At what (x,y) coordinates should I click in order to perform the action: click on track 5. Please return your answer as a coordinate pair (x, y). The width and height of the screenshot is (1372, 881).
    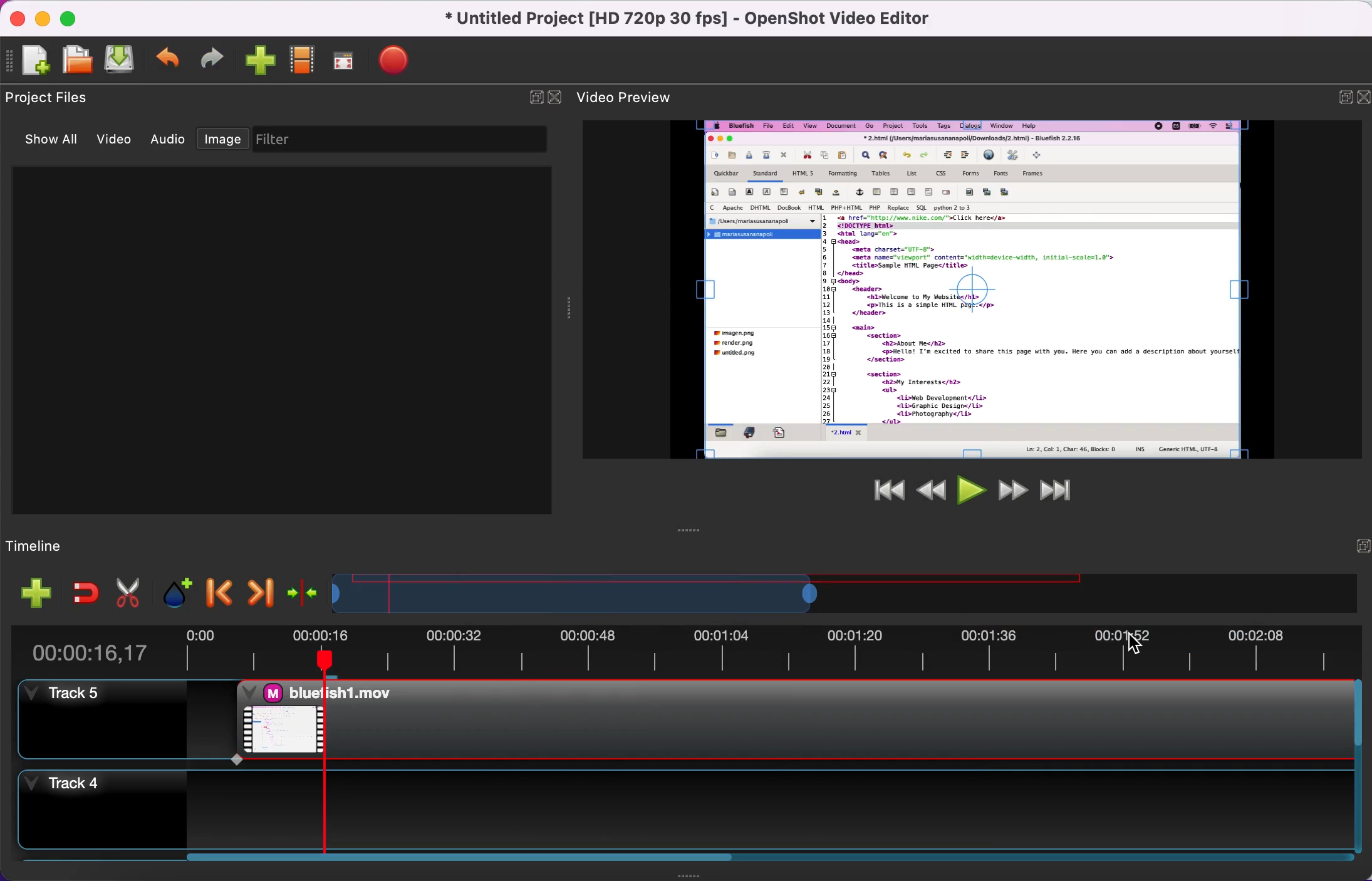
    Looking at the image, I should click on (101, 720).